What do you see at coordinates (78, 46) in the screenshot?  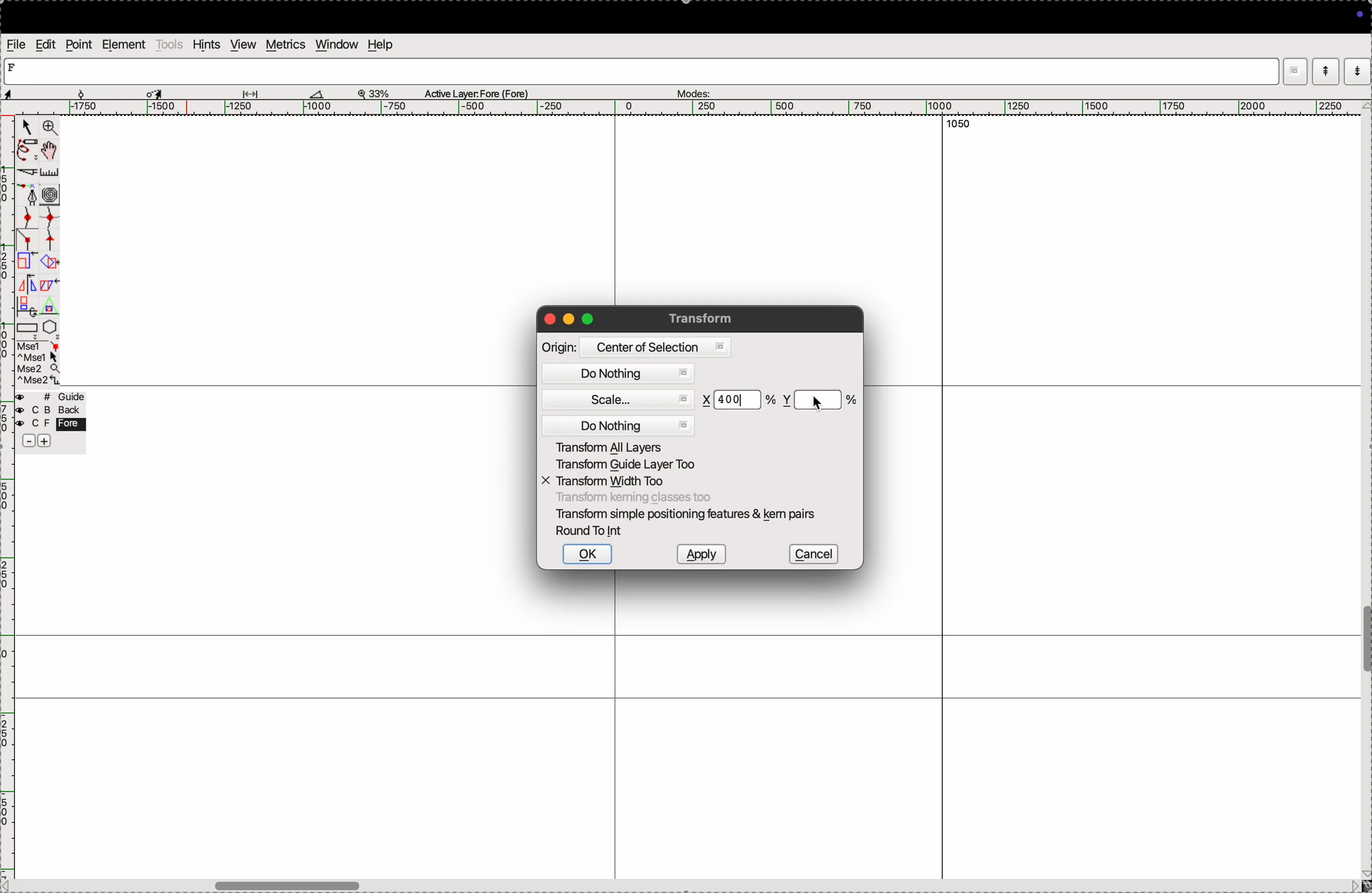 I see `point` at bounding box center [78, 46].